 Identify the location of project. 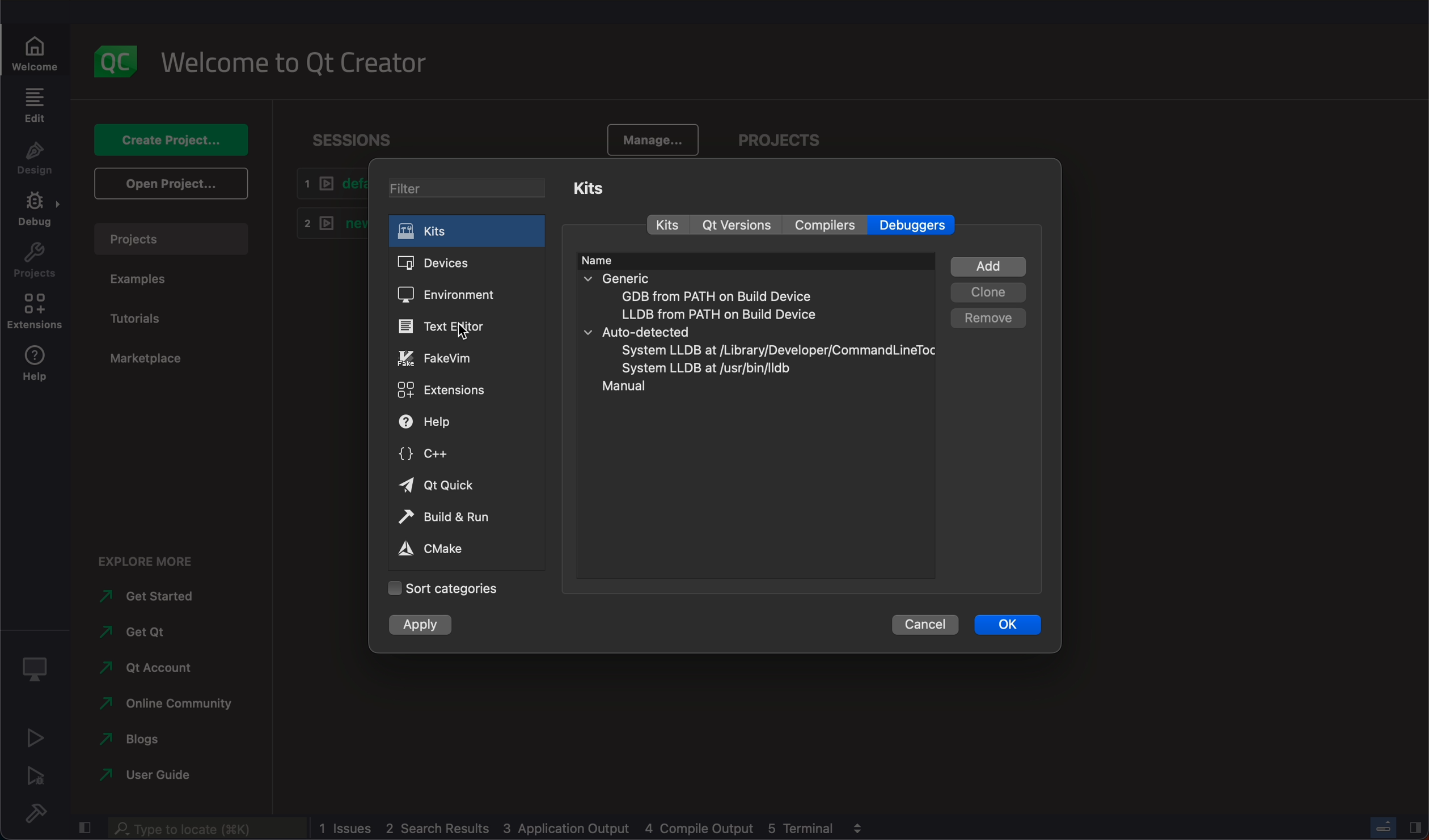
(790, 137).